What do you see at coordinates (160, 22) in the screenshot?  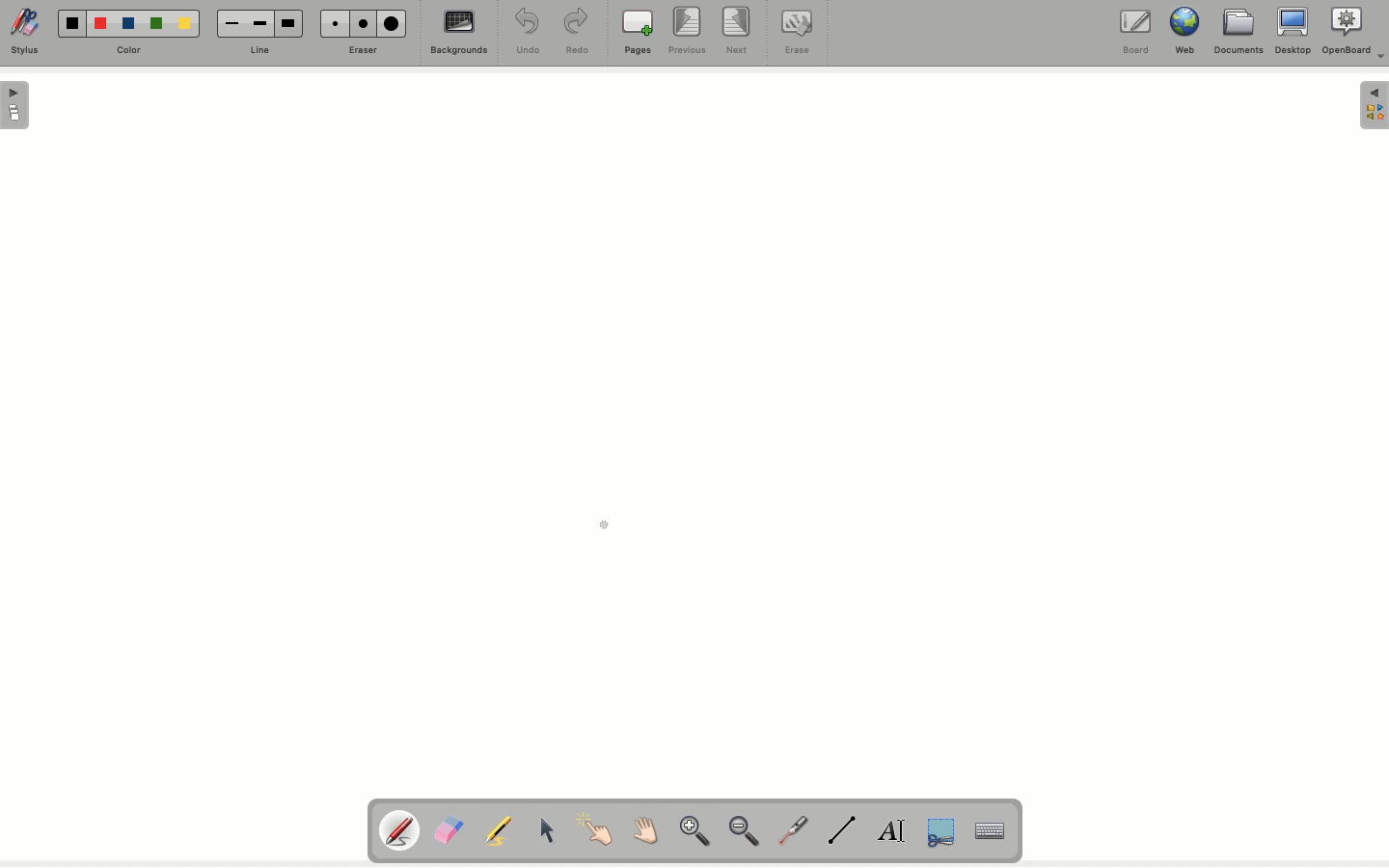 I see `Green` at bounding box center [160, 22].